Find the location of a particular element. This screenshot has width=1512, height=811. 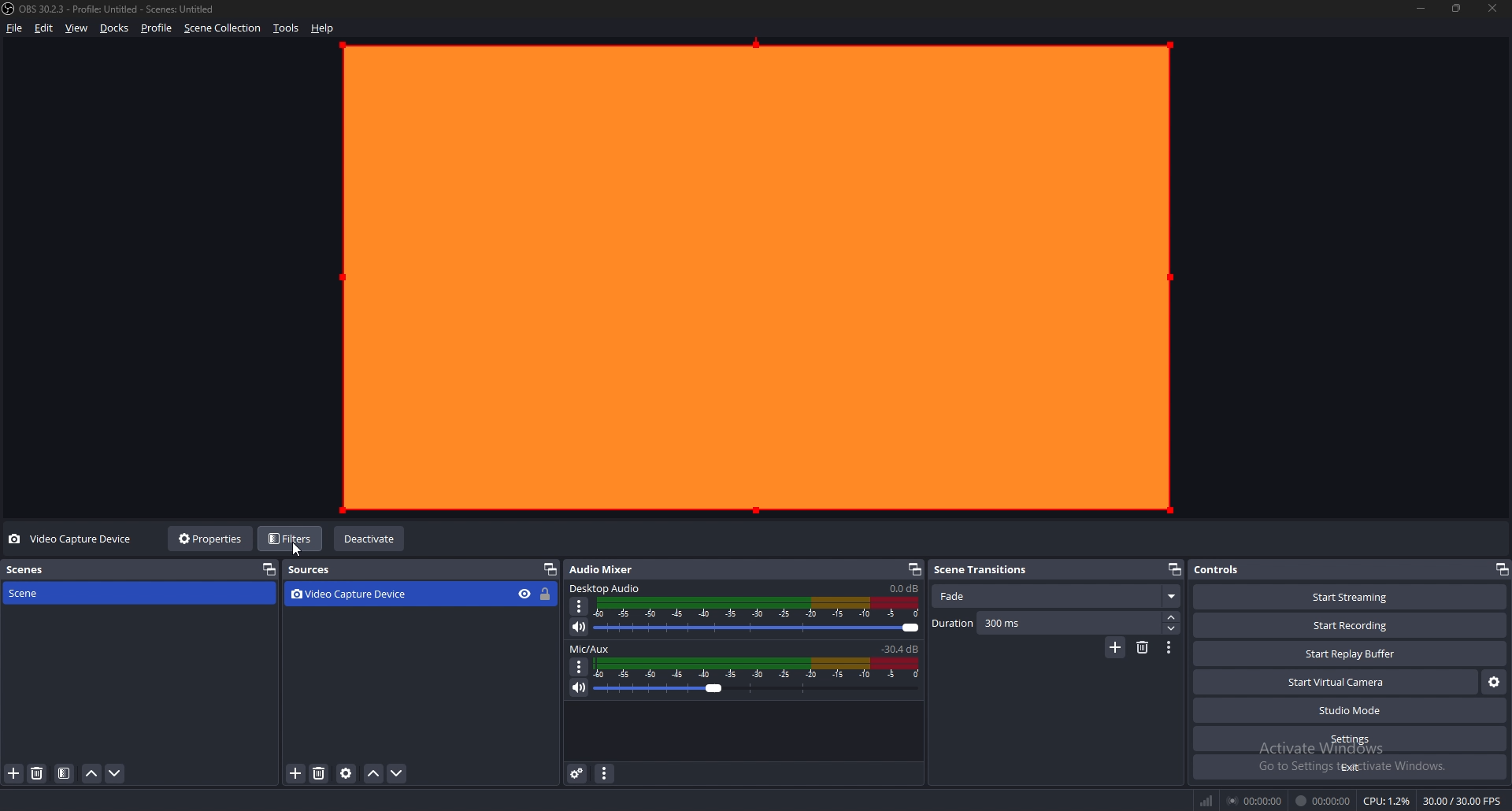

duration is located at coordinates (1047, 624).